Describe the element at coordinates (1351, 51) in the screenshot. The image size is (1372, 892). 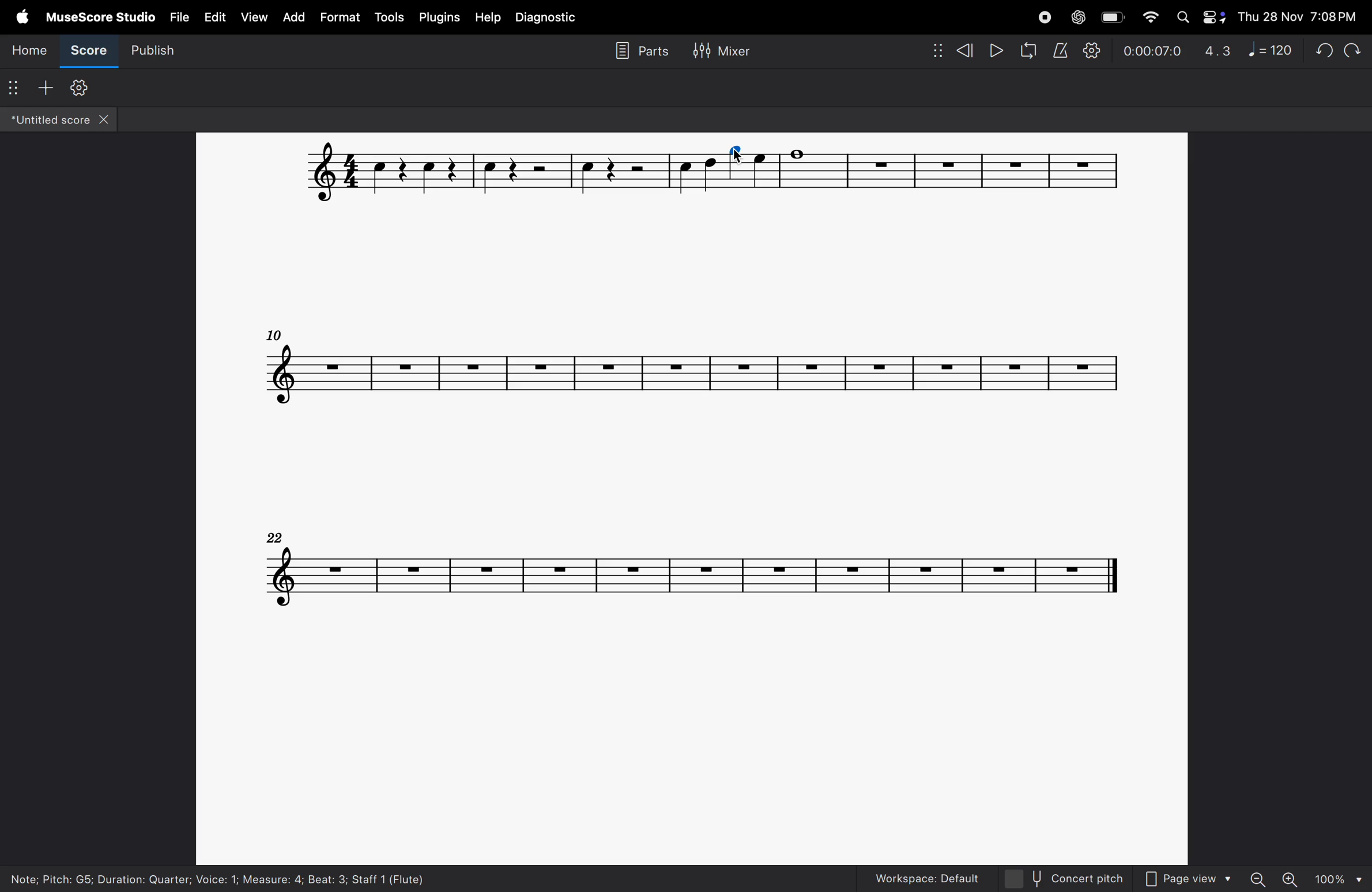
I see `Redo` at that location.